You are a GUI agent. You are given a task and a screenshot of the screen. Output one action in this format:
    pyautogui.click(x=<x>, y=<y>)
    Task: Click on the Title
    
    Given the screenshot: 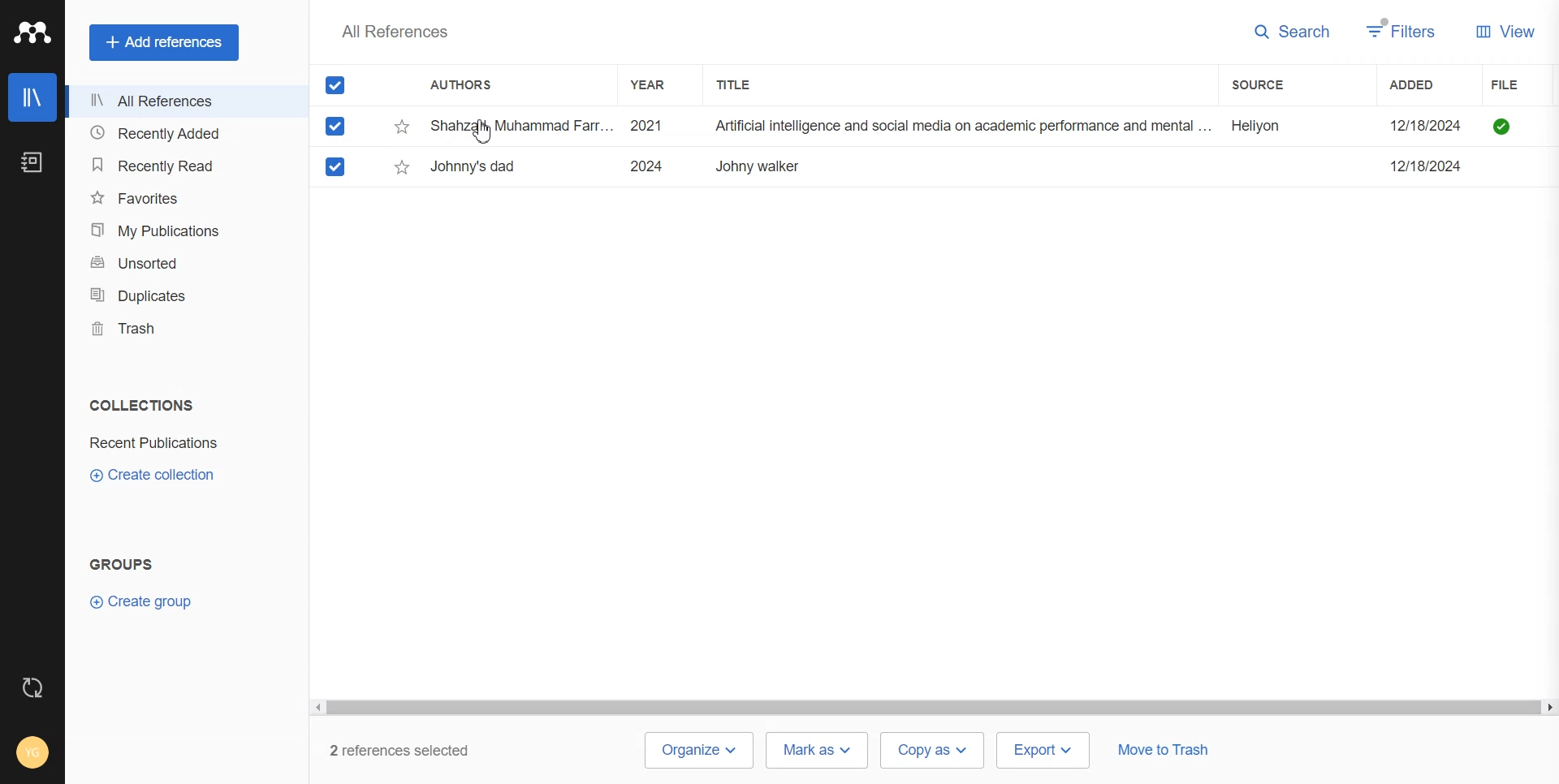 What is the action you would take?
    pyautogui.click(x=748, y=84)
    